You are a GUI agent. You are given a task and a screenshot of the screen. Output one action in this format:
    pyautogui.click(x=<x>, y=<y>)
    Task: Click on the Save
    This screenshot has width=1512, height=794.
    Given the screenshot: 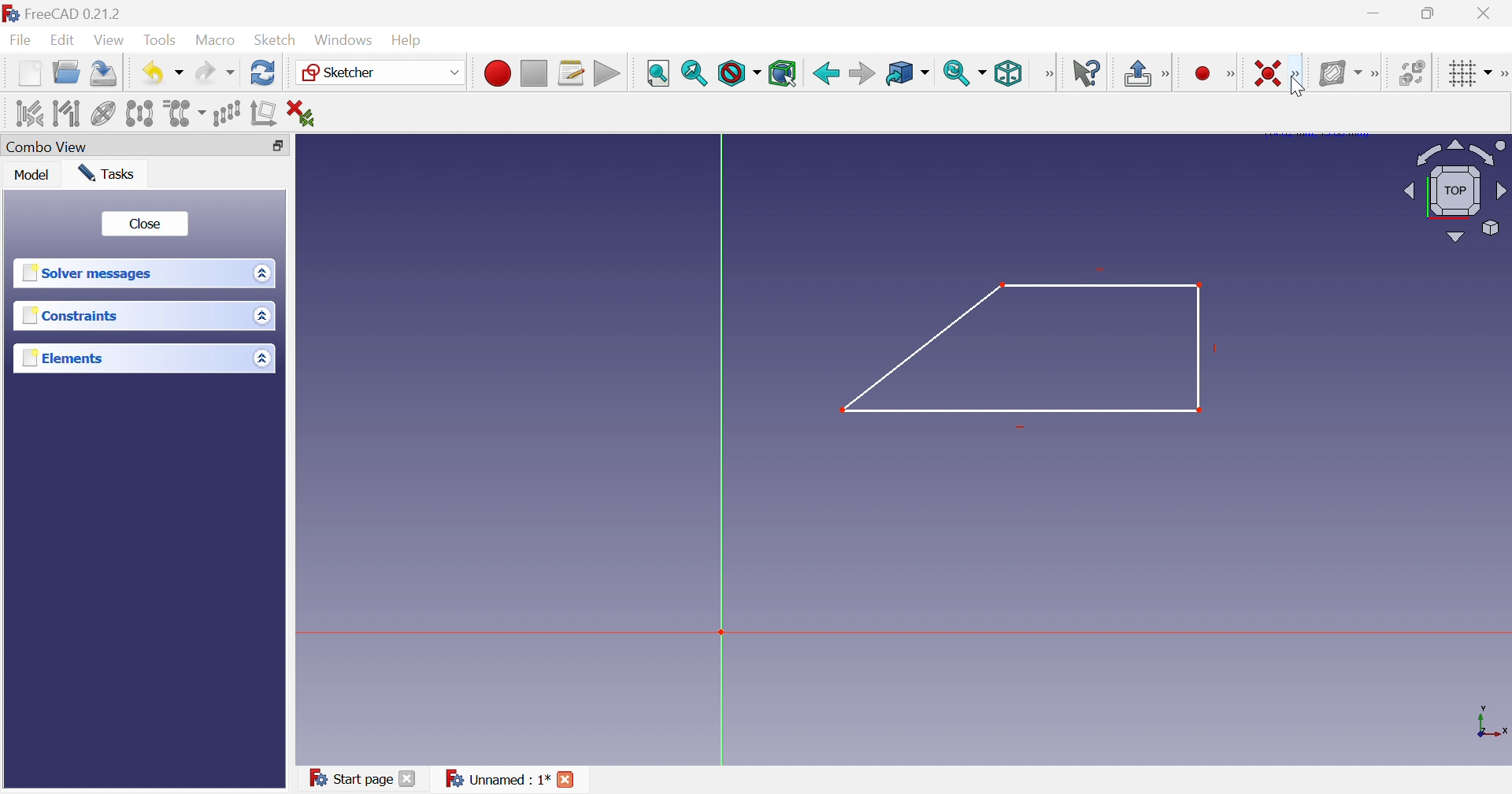 What is the action you would take?
    pyautogui.click(x=105, y=76)
    